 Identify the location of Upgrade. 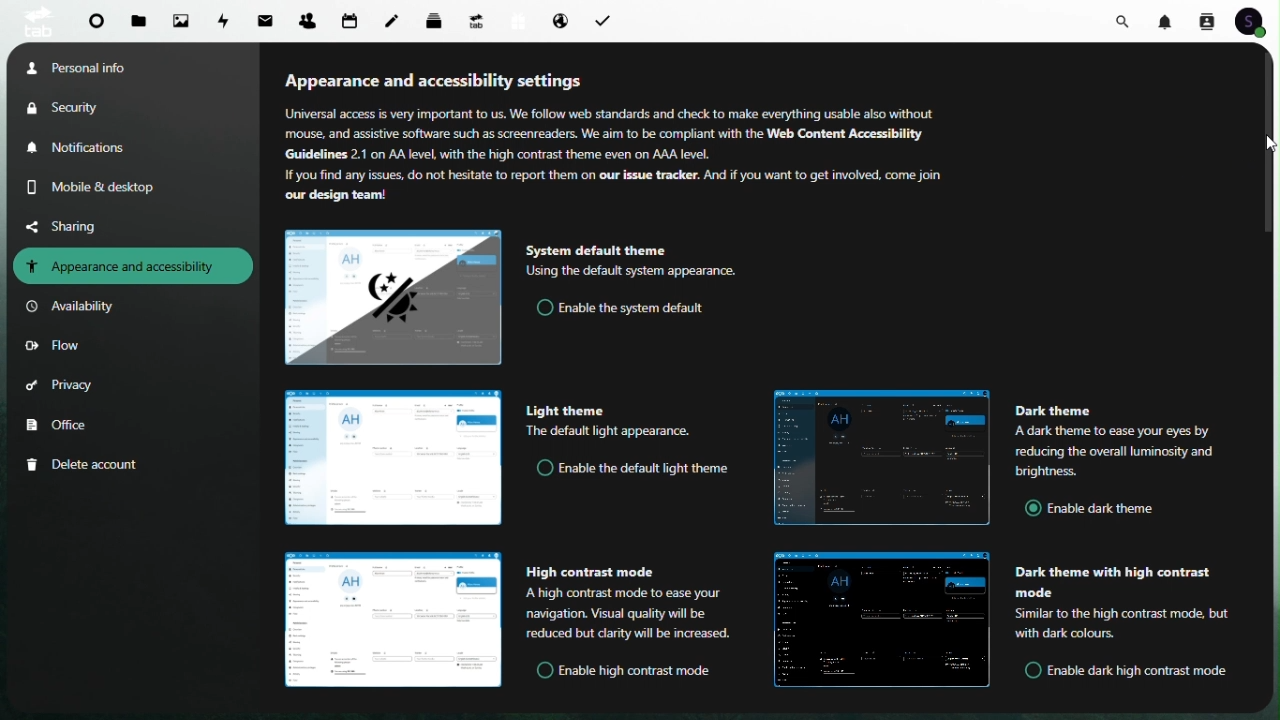
(476, 20).